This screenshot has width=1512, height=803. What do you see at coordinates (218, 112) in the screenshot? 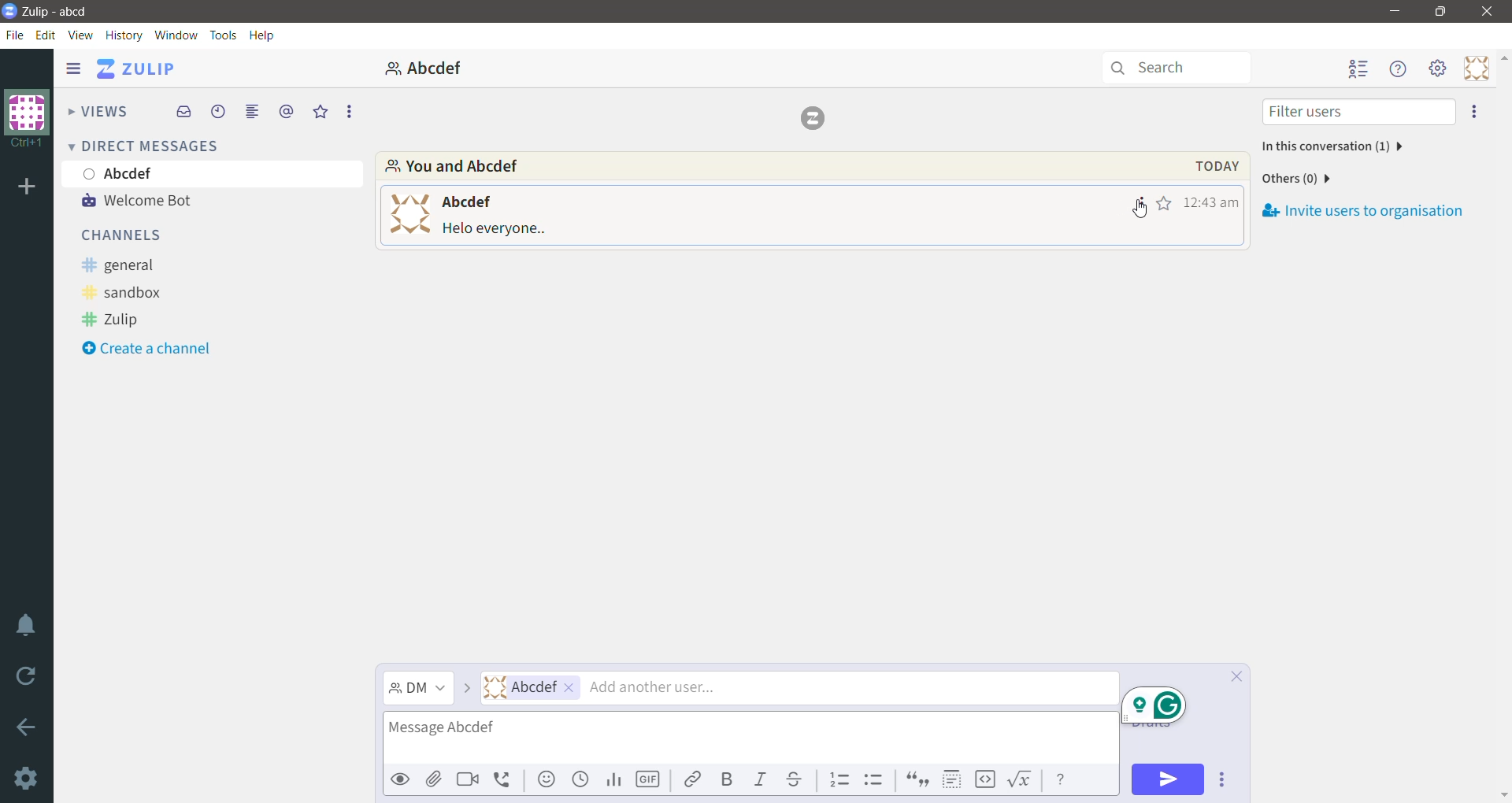
I see `Recent Conversations` at bounding box center [218, 112].